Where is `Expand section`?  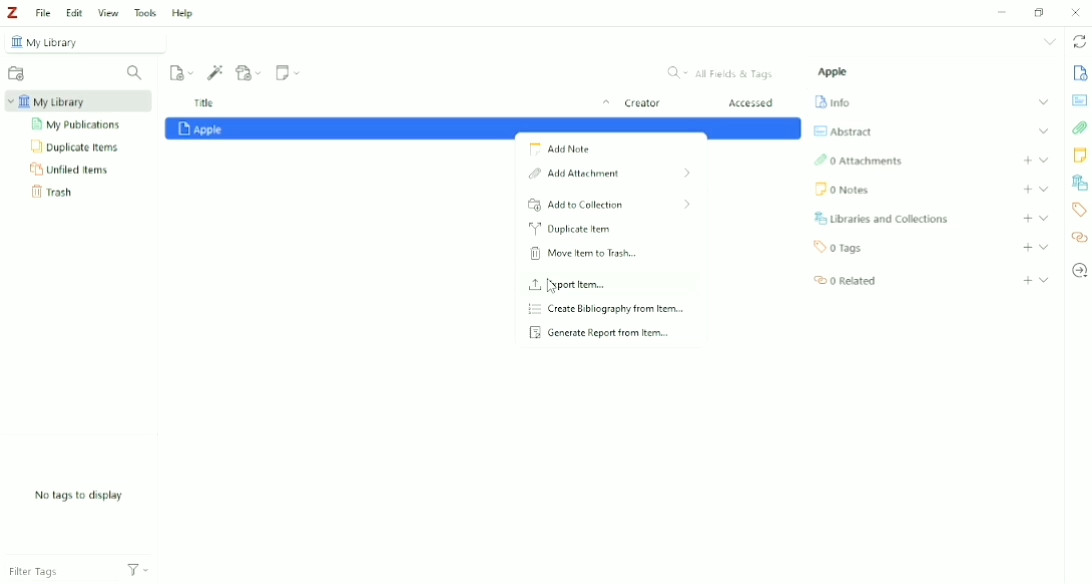 Expand section is located at coordinates (1043, 131).